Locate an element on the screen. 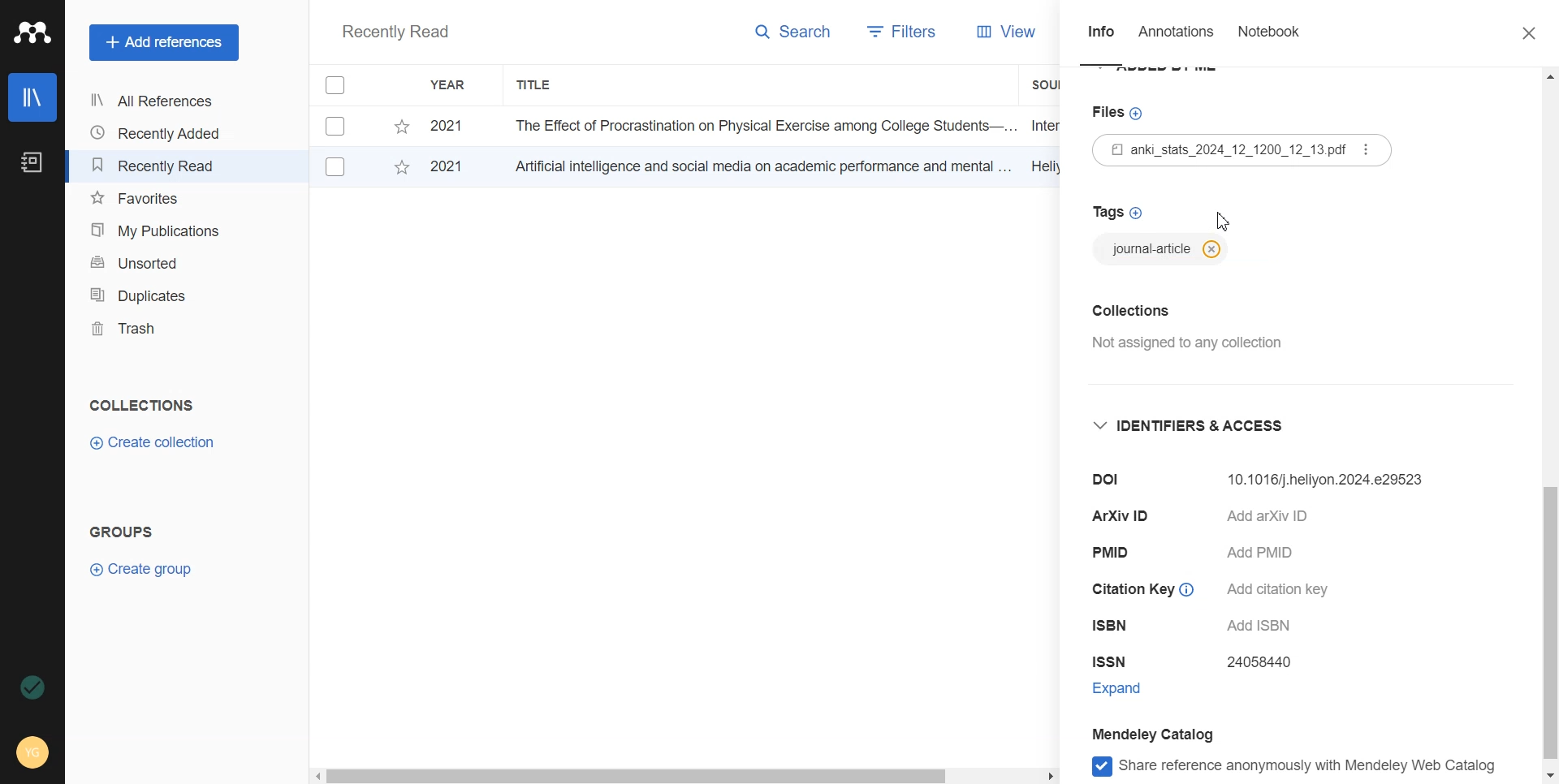 This screenshot has height=784, width=1559. Library is located at coordinates (33, 97).